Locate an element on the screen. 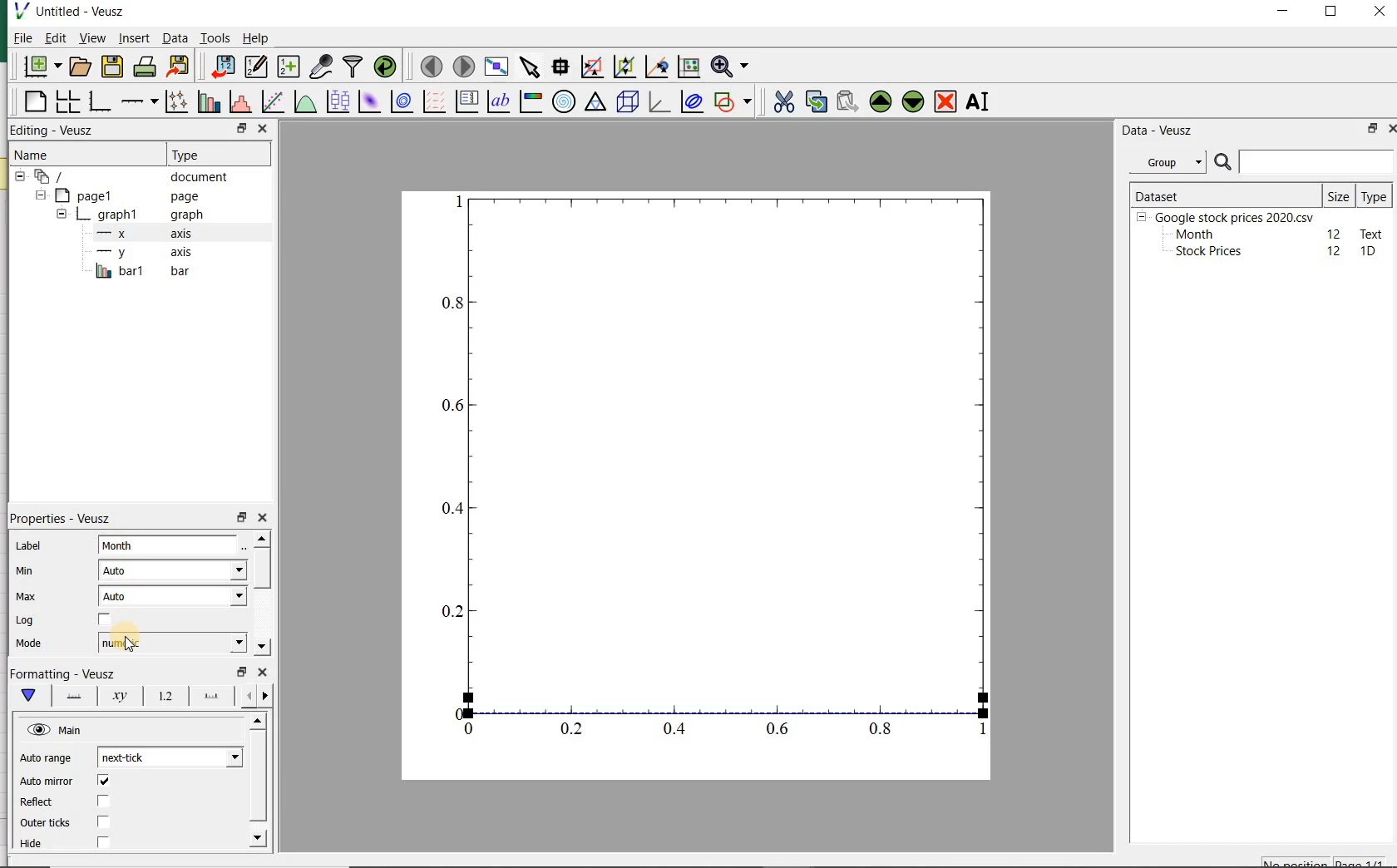  graph1 is located at coordinates (127, 216).